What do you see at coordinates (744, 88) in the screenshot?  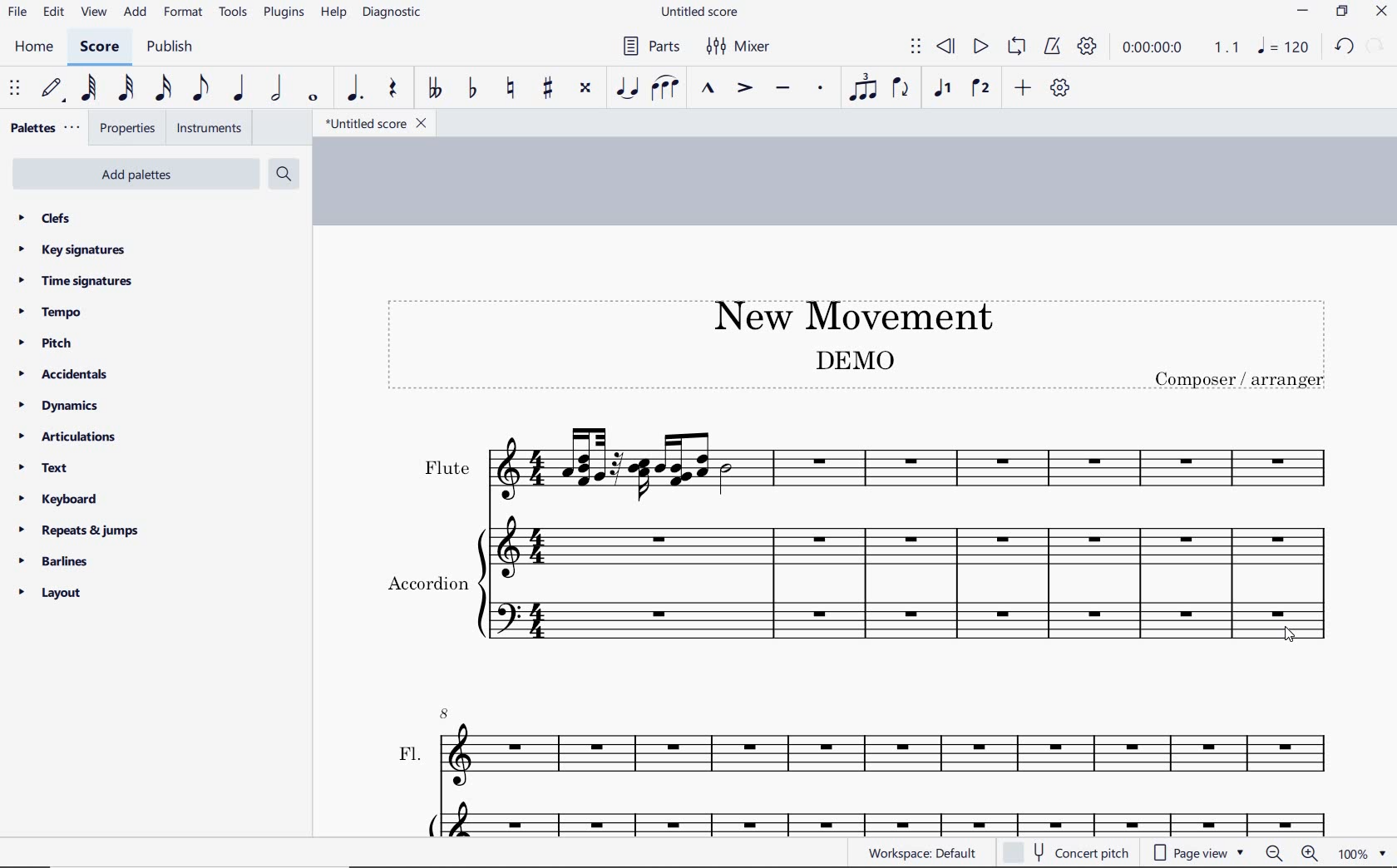 I see `accent` at bounding box center [744, 88].